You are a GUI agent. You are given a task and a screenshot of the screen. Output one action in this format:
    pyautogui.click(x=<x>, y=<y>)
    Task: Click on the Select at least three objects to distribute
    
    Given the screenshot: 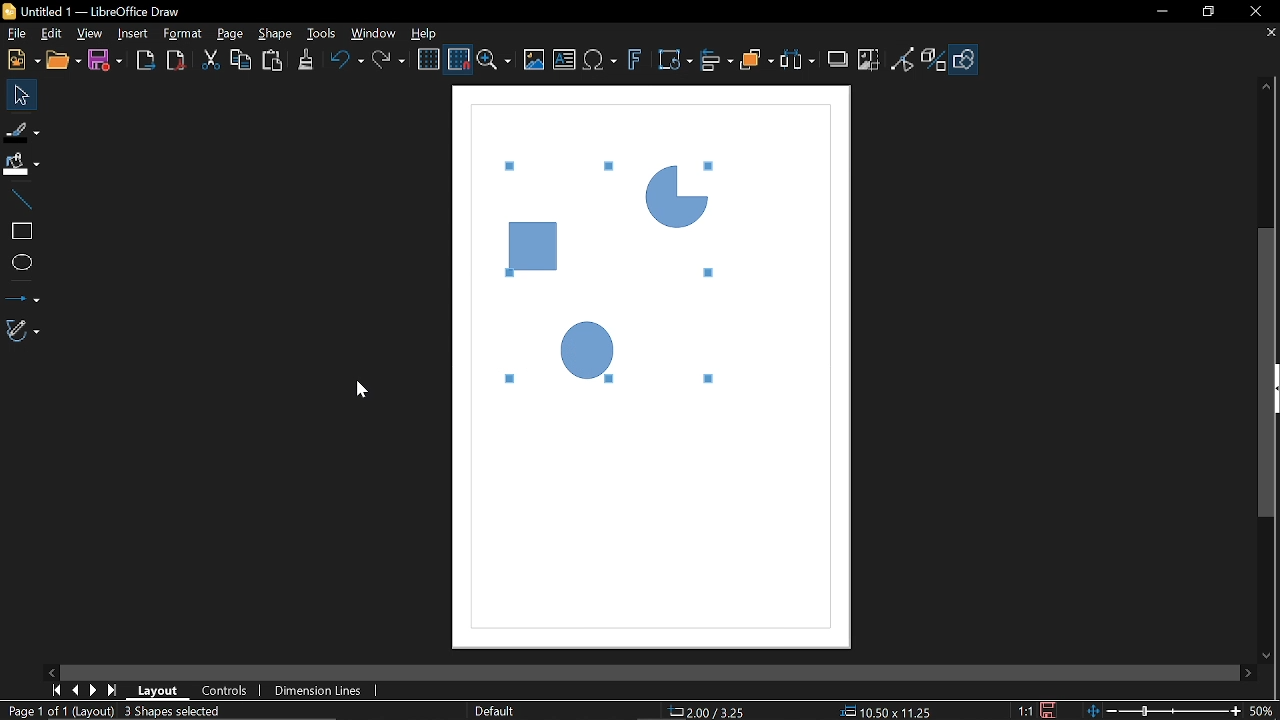 What is the action you would take?
    pyautogui.click(x=800, y=64)
    